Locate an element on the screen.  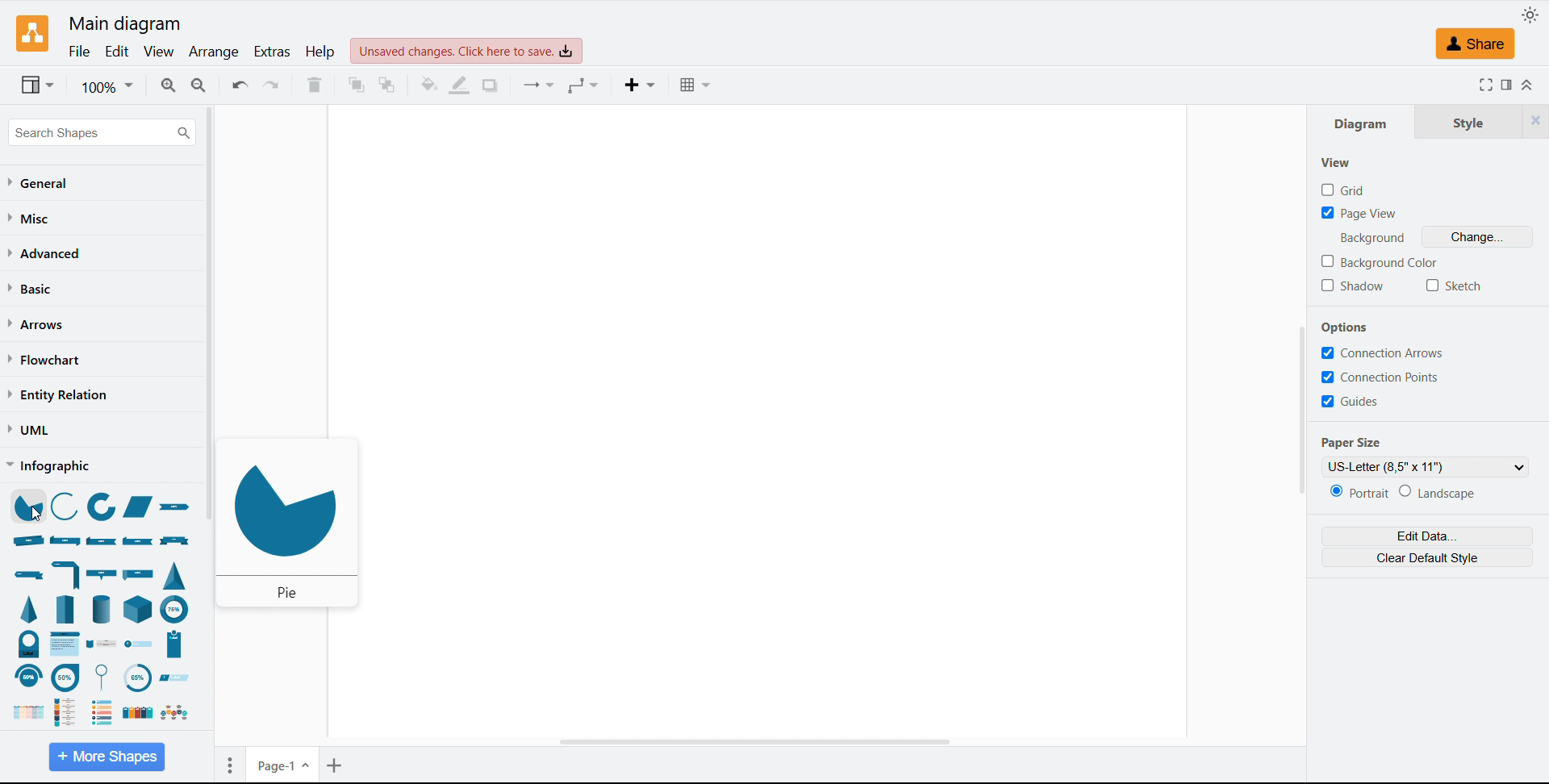
To front  is located at coordinates (356, 85).